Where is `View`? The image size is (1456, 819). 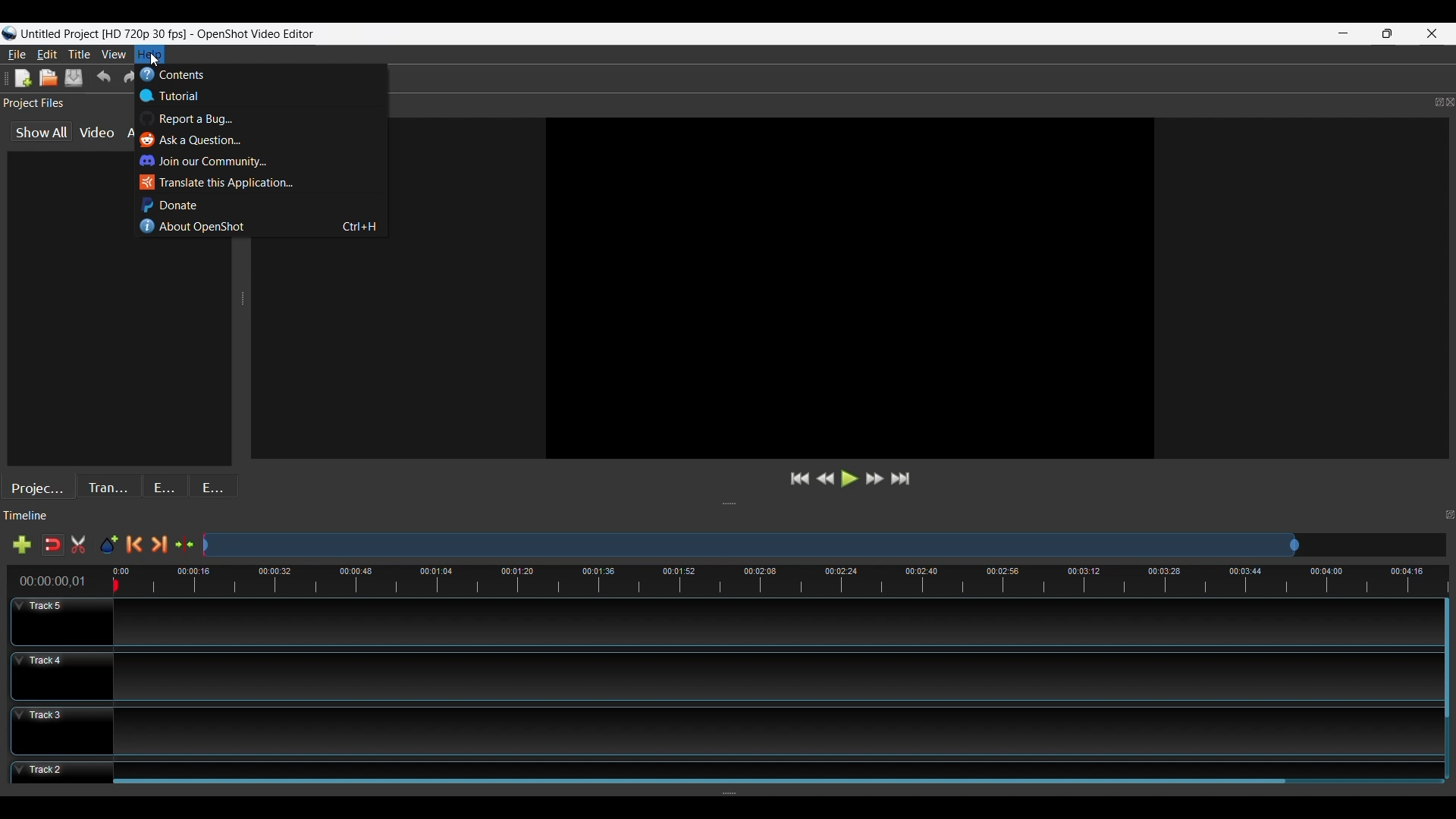
View is located at coordinates (115, 54).